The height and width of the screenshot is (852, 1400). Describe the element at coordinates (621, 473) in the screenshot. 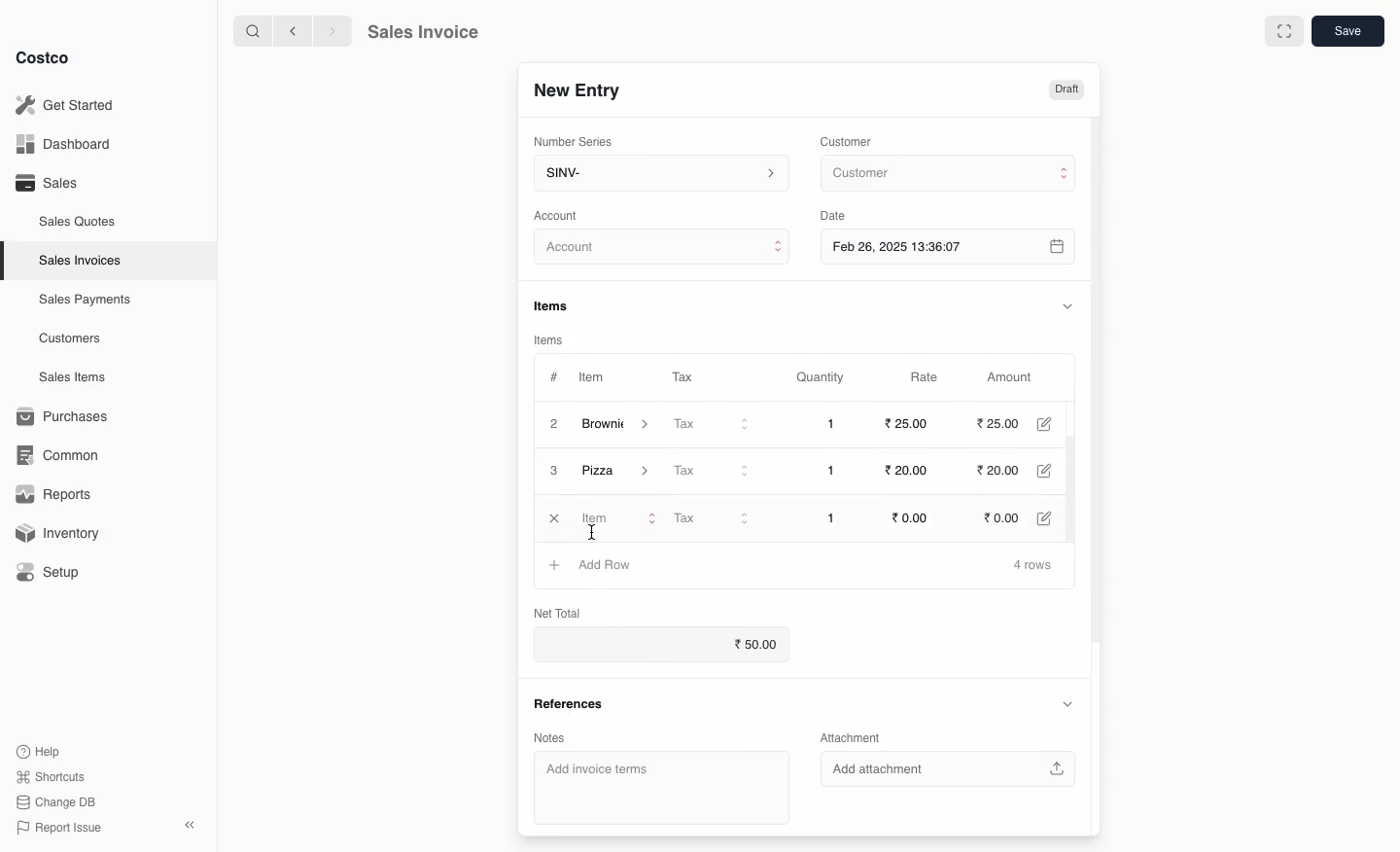

I see `Pizza` at that location.